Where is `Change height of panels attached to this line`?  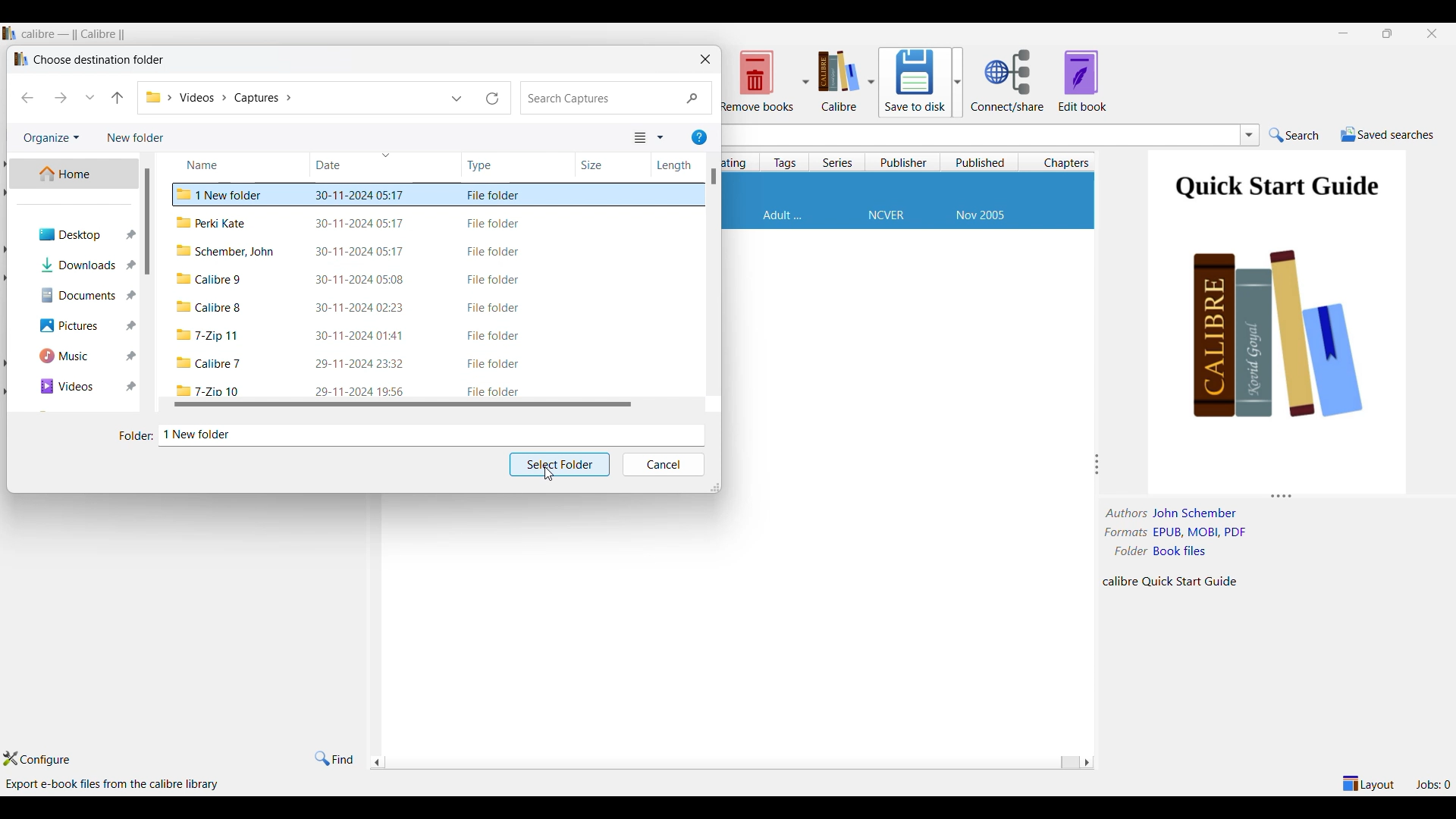
Change height of panels attached to this line is located at coordinates (1273, 494).